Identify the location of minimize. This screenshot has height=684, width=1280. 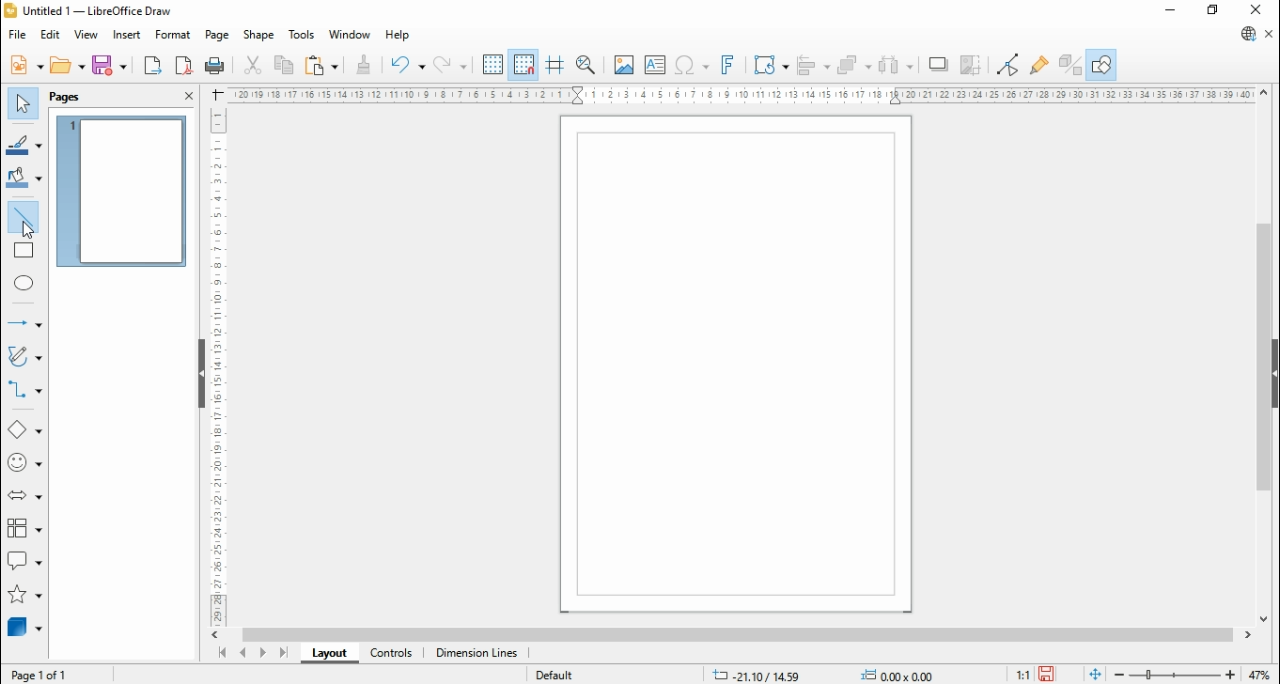
(1171, 12).